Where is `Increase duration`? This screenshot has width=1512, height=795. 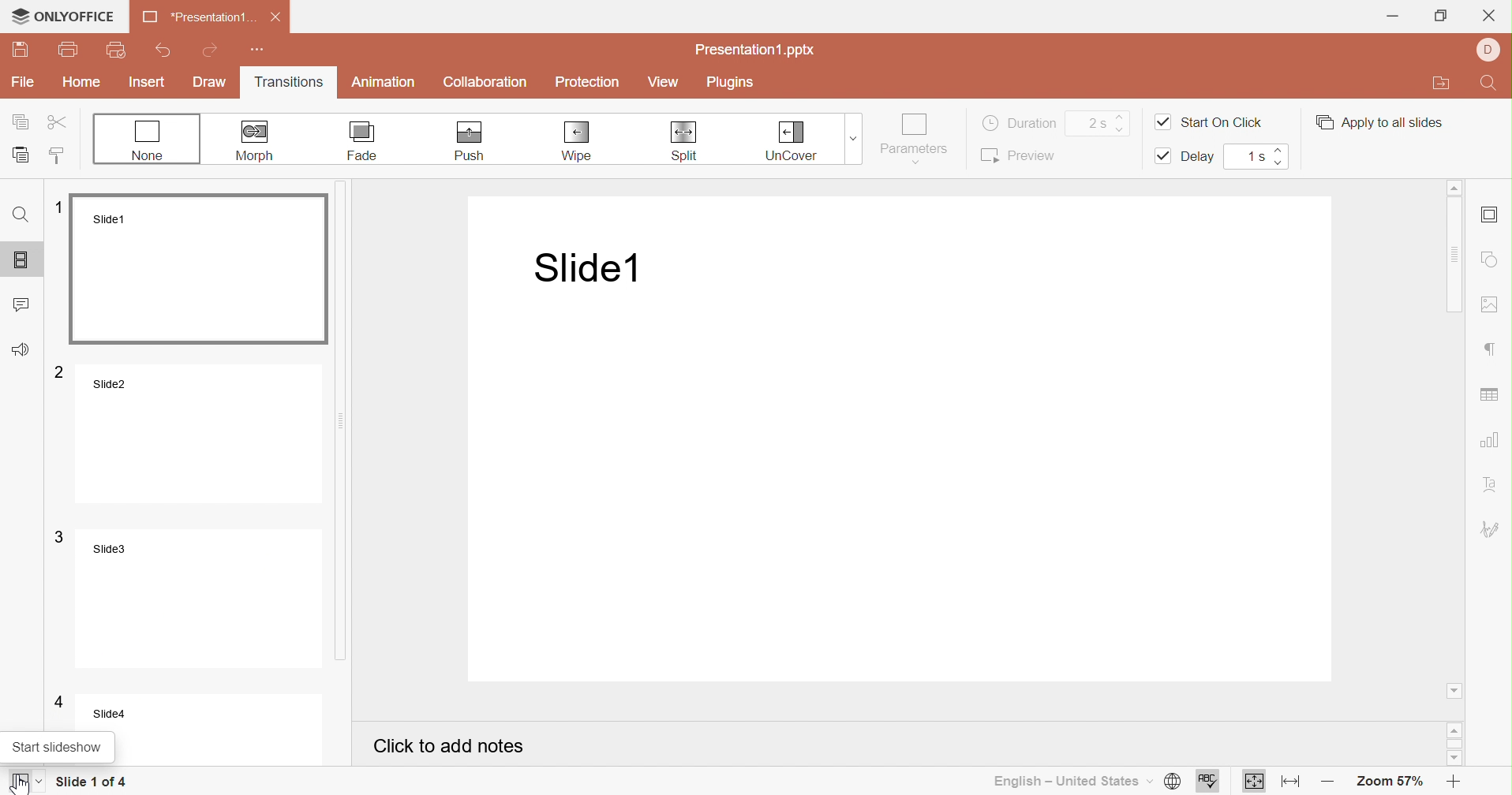
Increase duration is located at coordinates (1121, 113).